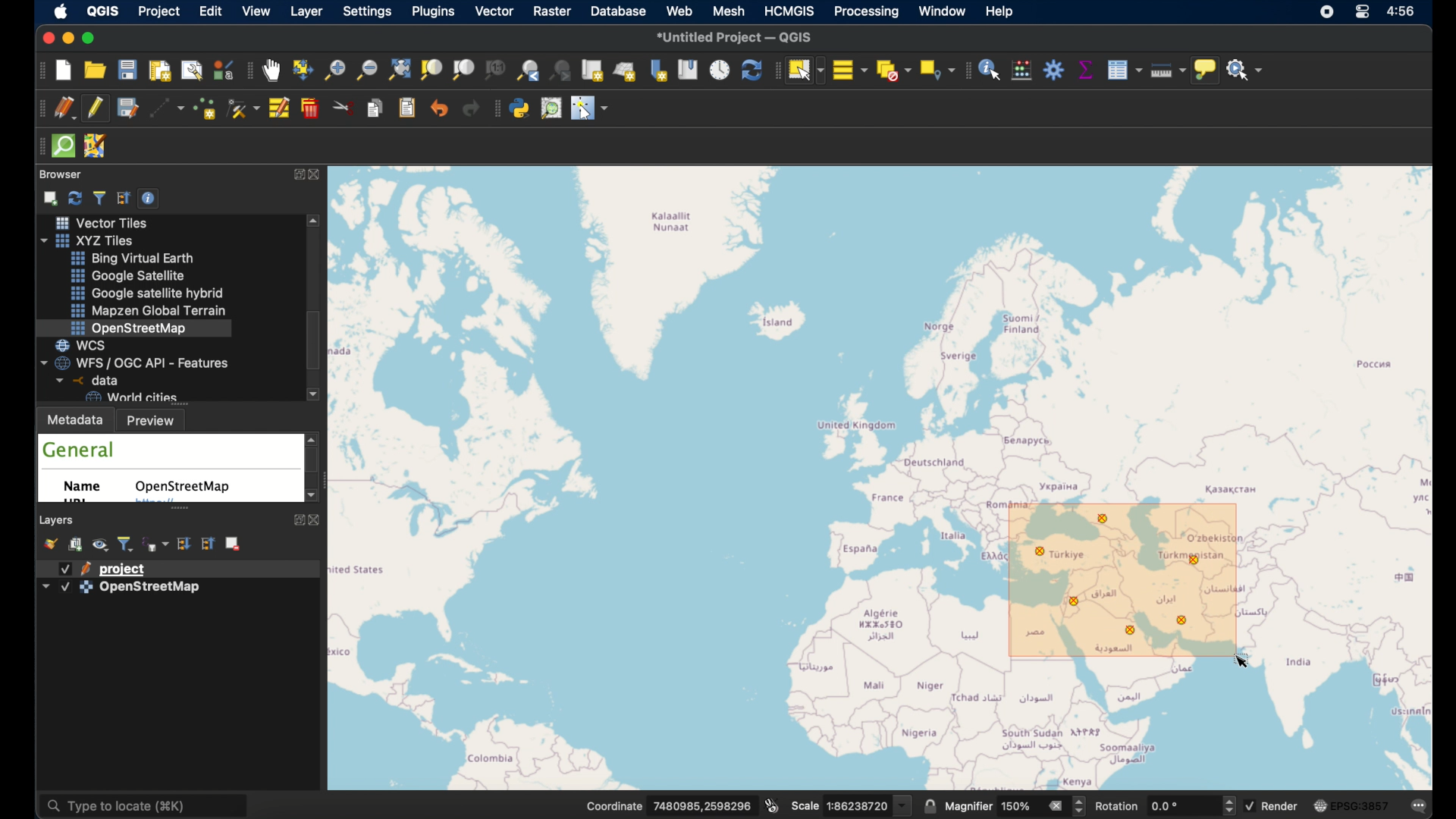 The height and width of the screenshot is (819, 1456). Describe the element at coordinates (313, 437) in the screenshot. I see `scroll up arrow` at that location.